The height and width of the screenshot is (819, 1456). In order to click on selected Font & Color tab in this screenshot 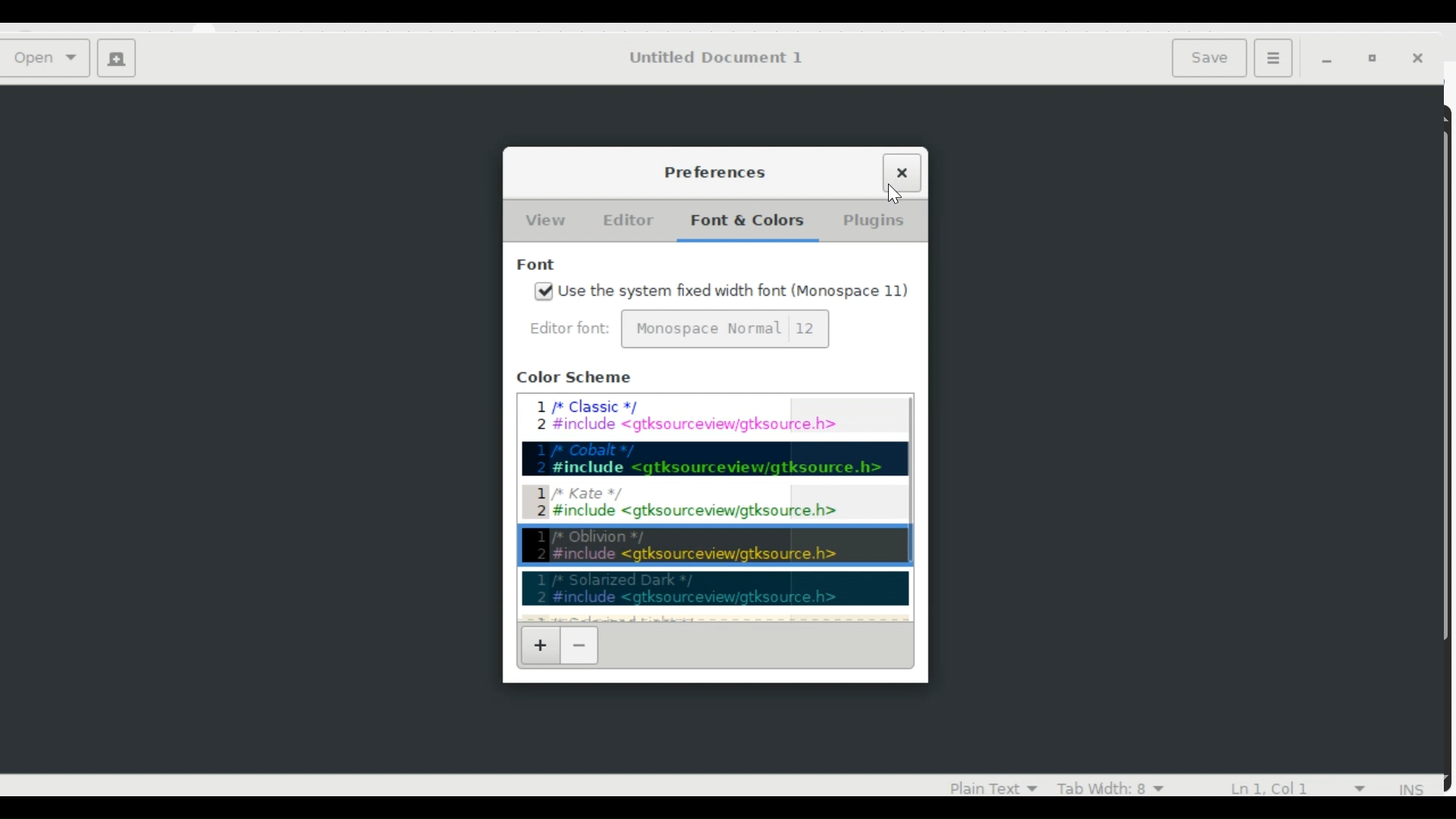, I will do `click(745, 221)`.